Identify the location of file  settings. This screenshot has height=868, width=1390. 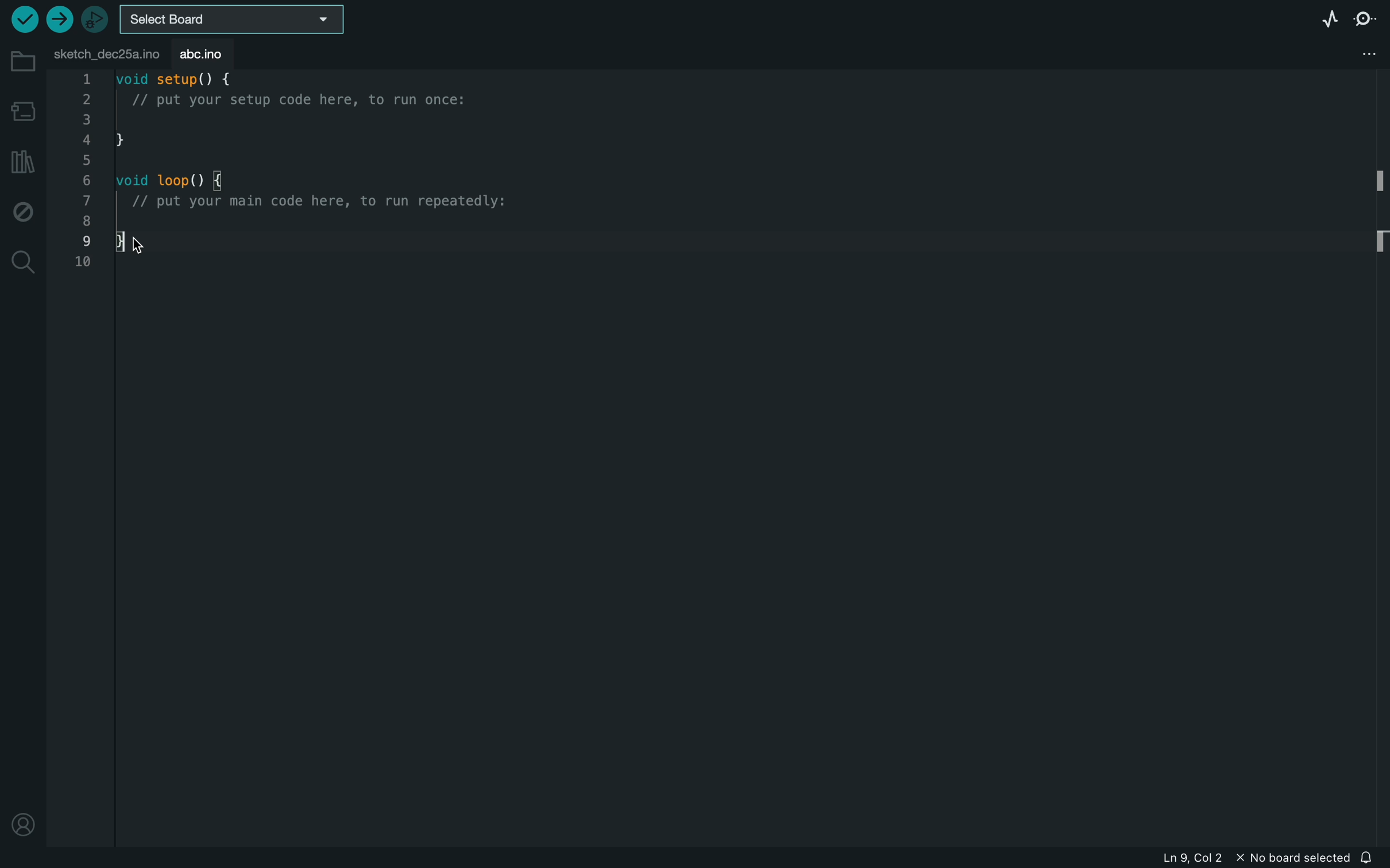
(1358, 54).